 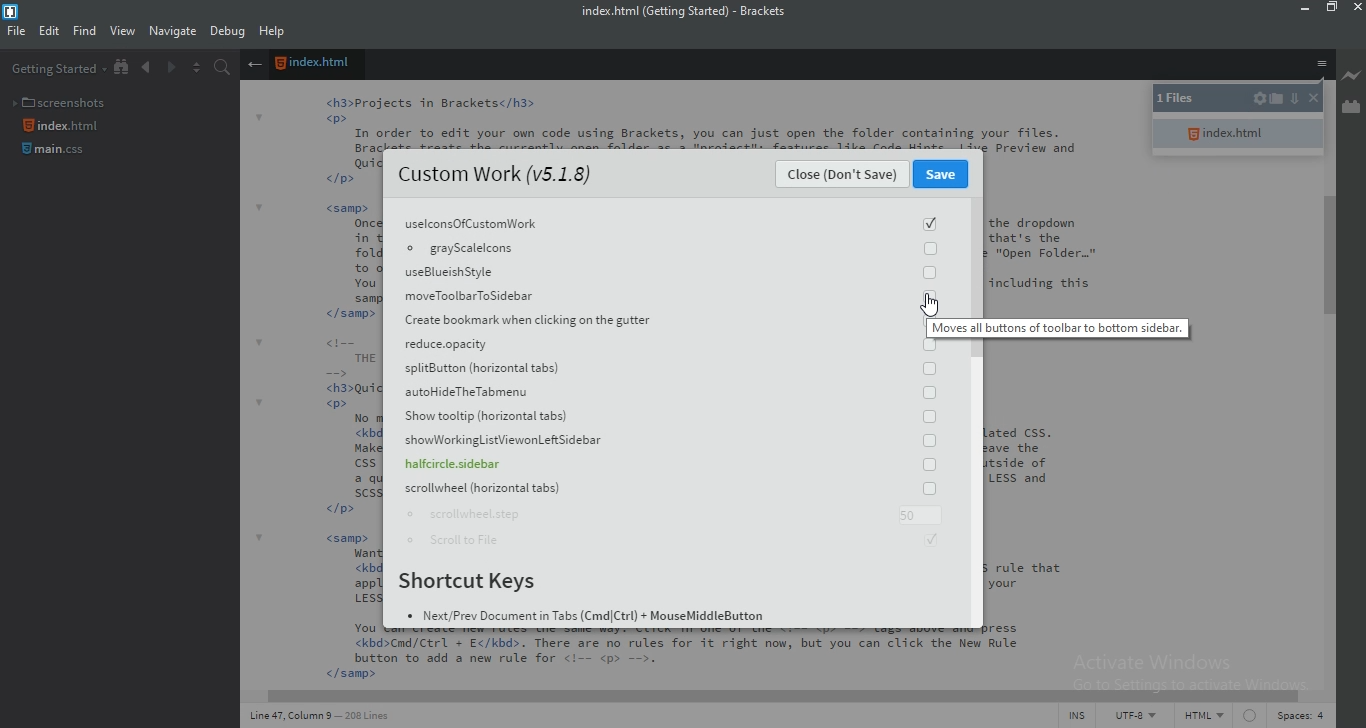 What do you see at coordinates (228, 33) in the screenshot?
I see `Debug` at bounding box center [228, 33].